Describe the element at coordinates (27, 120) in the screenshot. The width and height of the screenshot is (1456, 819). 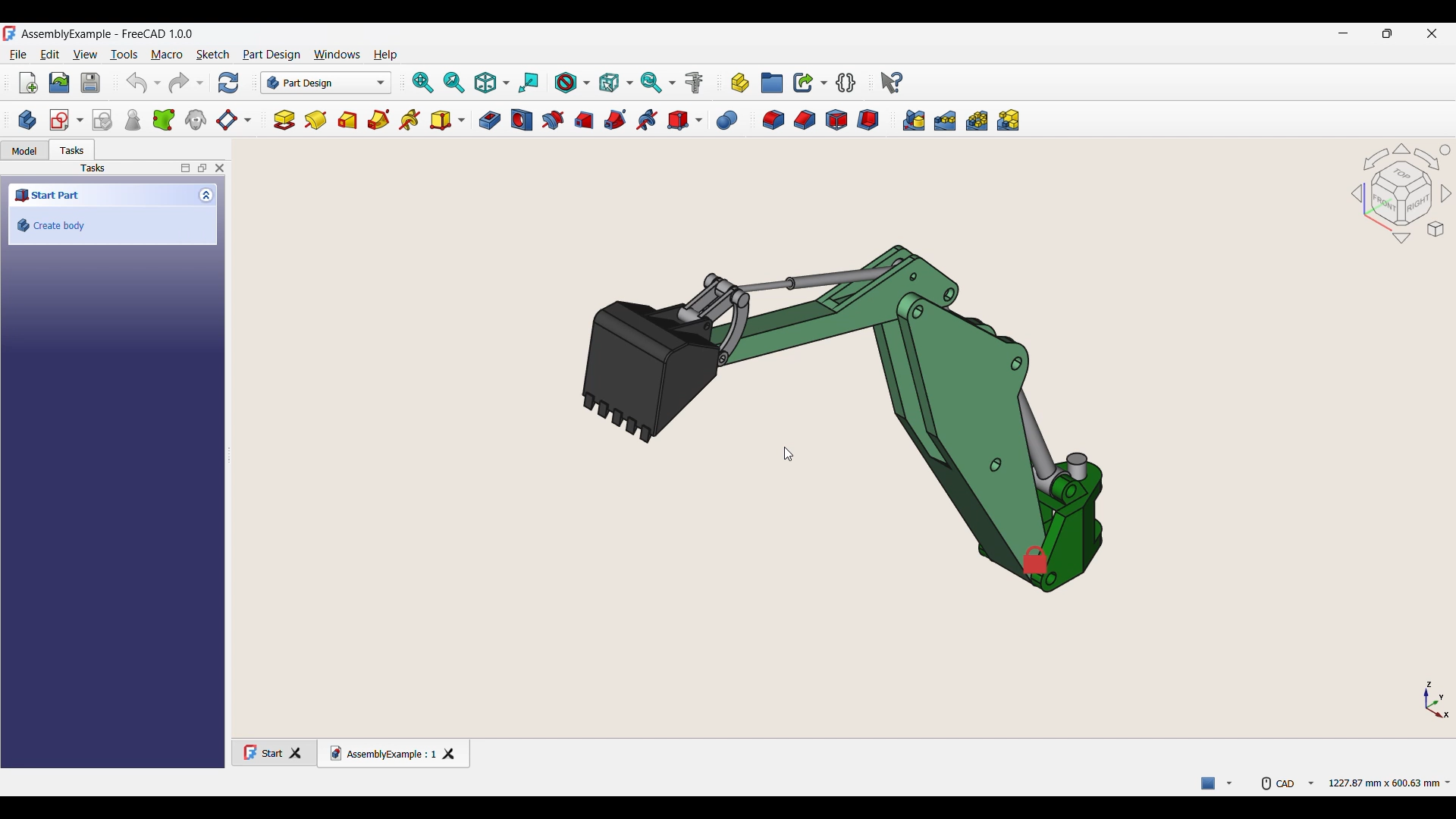
I see `Create body` at that location.